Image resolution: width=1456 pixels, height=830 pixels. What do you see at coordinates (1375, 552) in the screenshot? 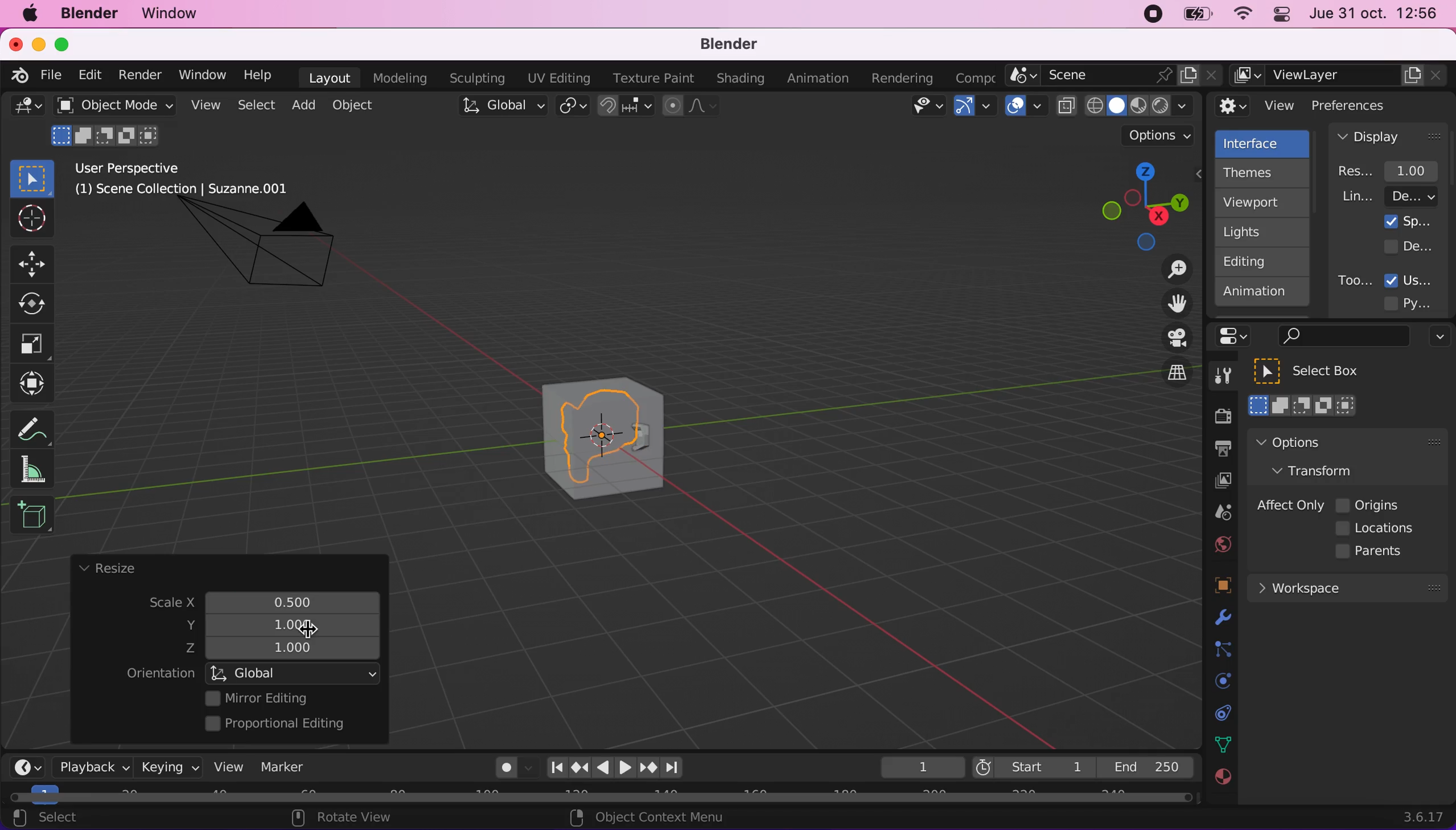
I see `parents` at bounding box center [1375, 552].